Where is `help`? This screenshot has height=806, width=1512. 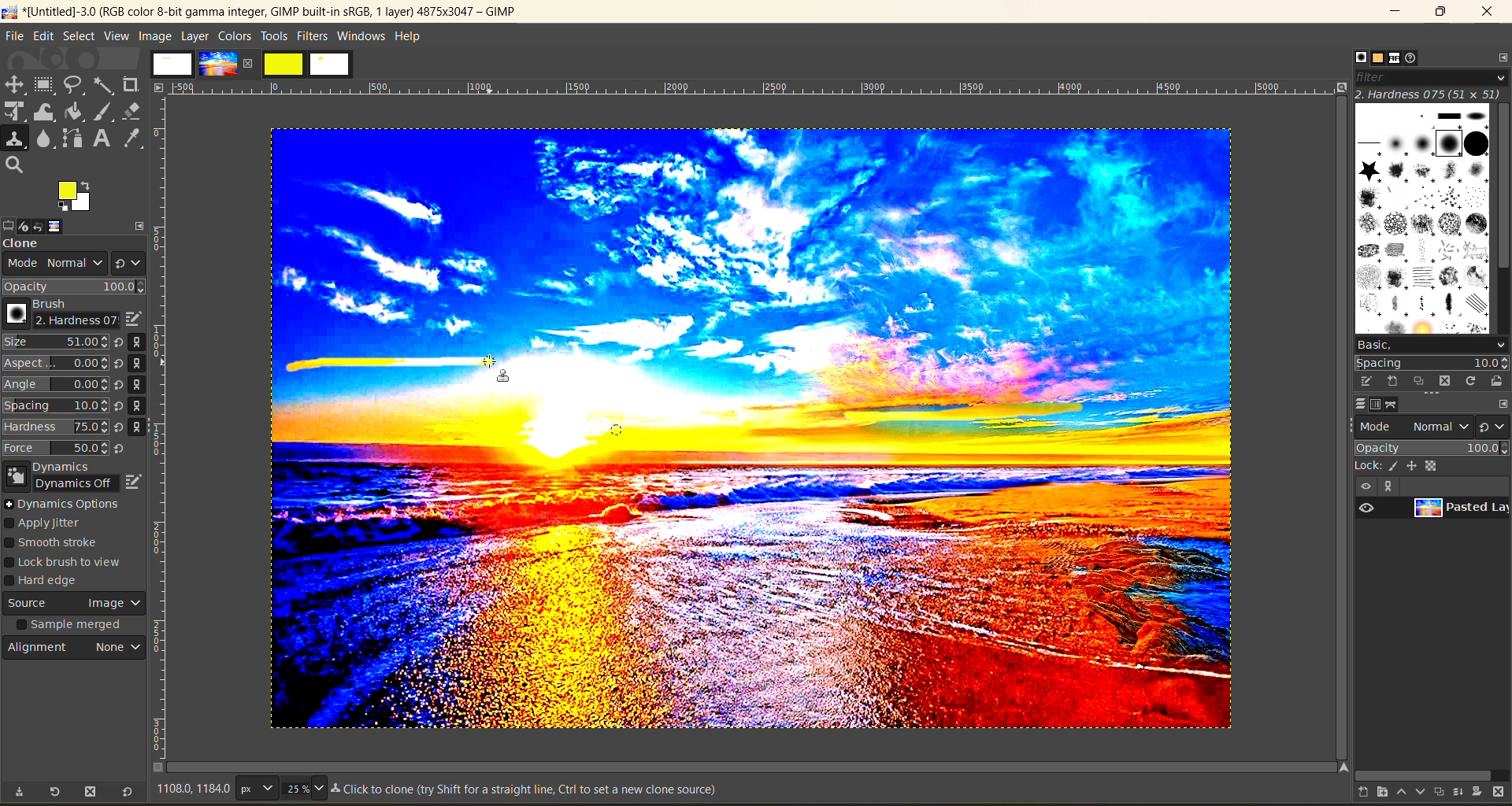
help is located at coordinates (412, 35).